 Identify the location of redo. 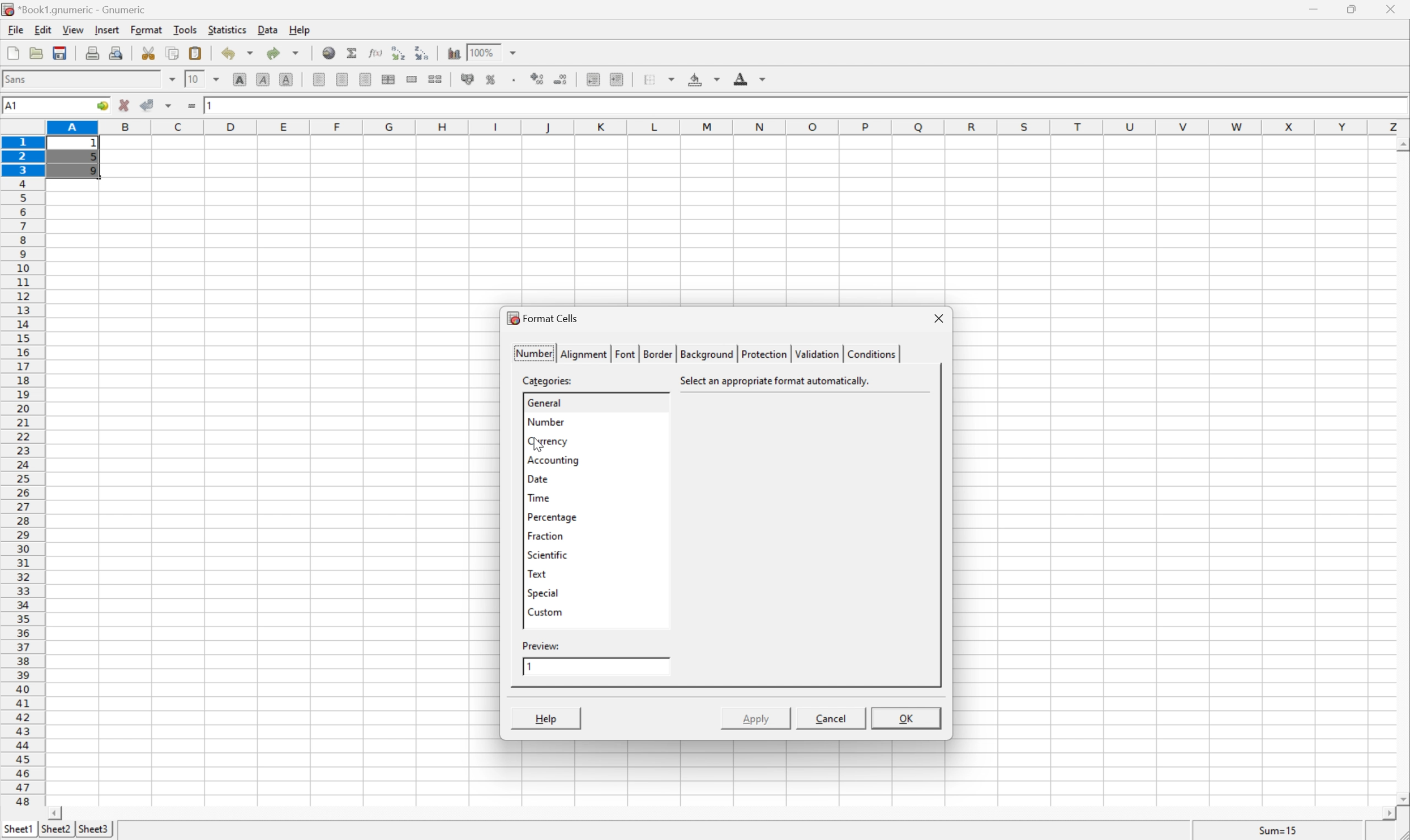
(283, 53).